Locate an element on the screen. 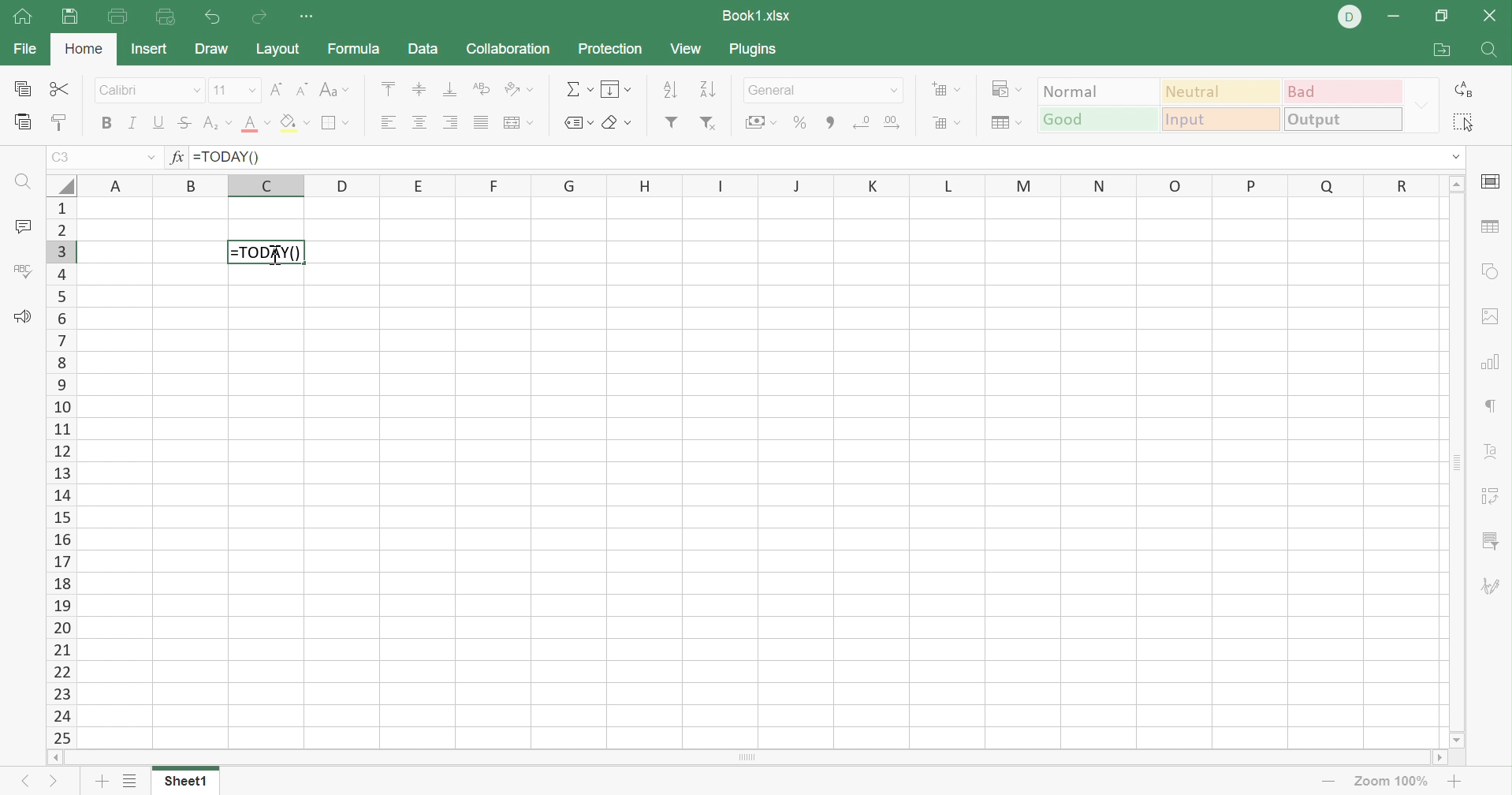 Image resolution: width=1512 pixels, height=795 pixels. Slicer settings is located at coordinates (1490, 541).